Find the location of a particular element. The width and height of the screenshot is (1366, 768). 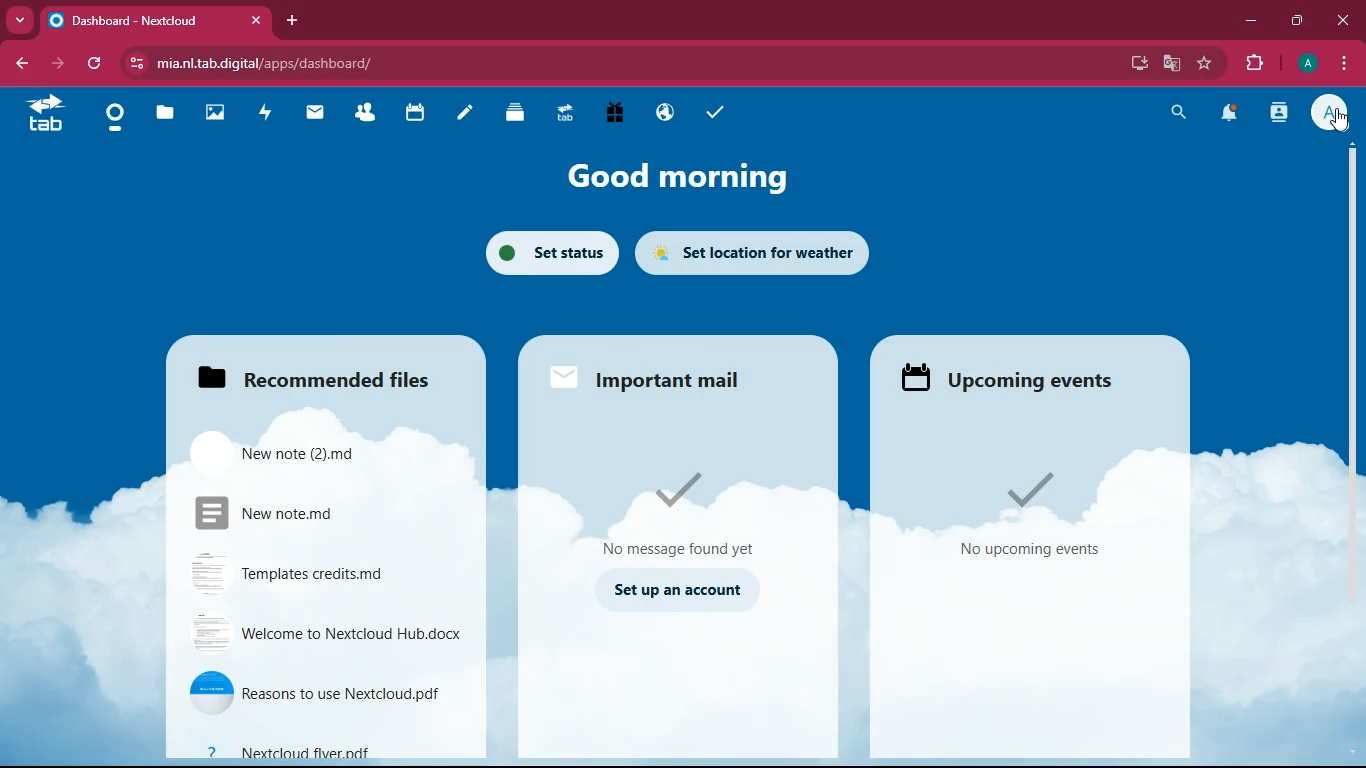

file is located at coordinates (289, 453).